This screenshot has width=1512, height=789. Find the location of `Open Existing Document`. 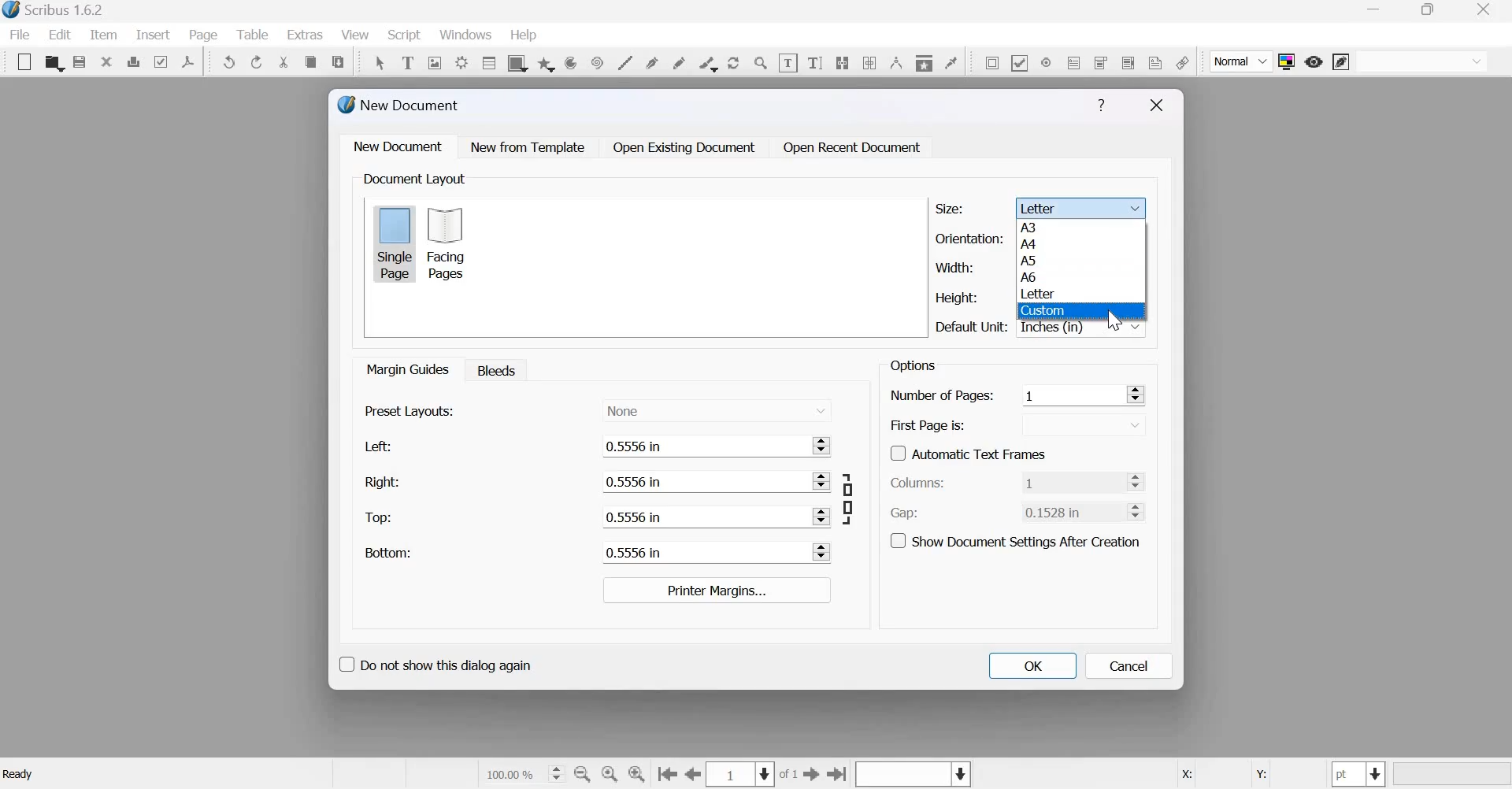

Open Existing Document is located at coordinates (683, 147).